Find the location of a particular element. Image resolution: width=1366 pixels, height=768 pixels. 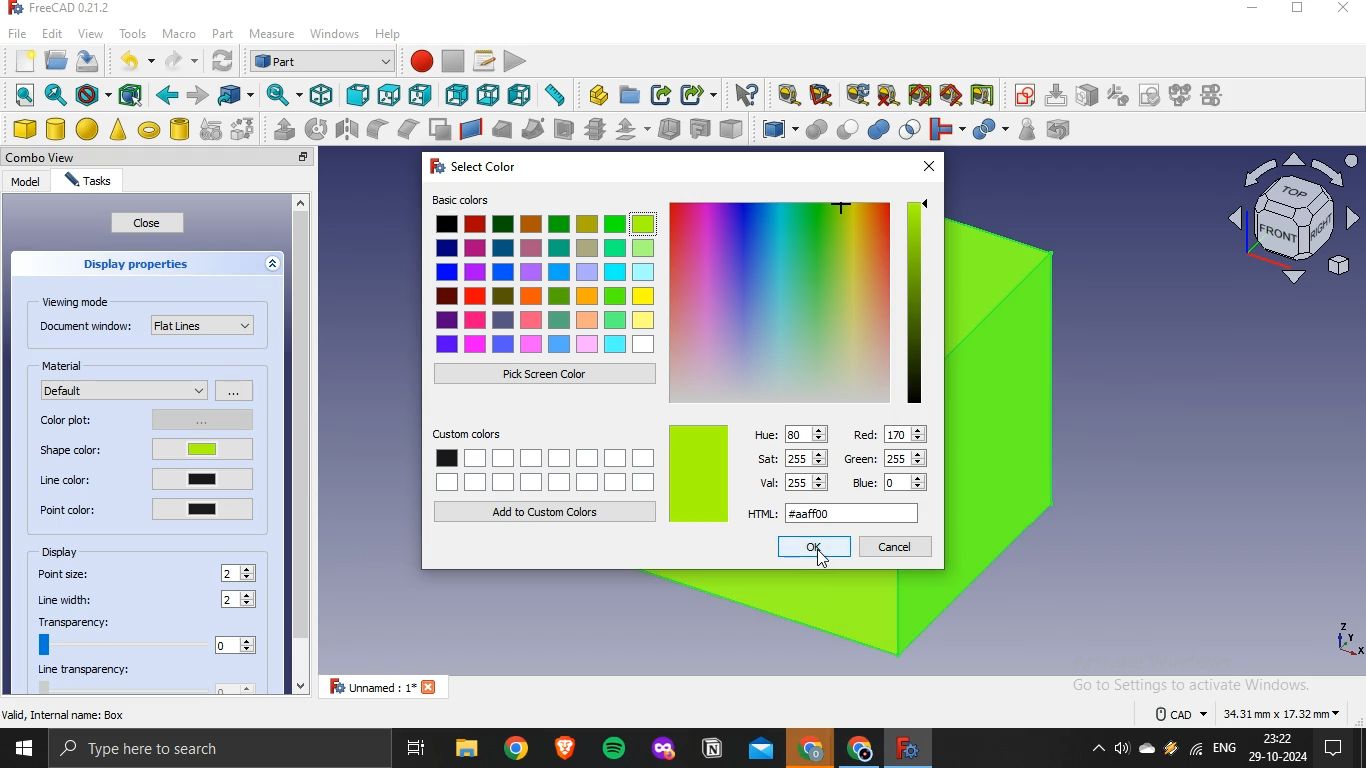

forward is located at coordinates (198, 95).